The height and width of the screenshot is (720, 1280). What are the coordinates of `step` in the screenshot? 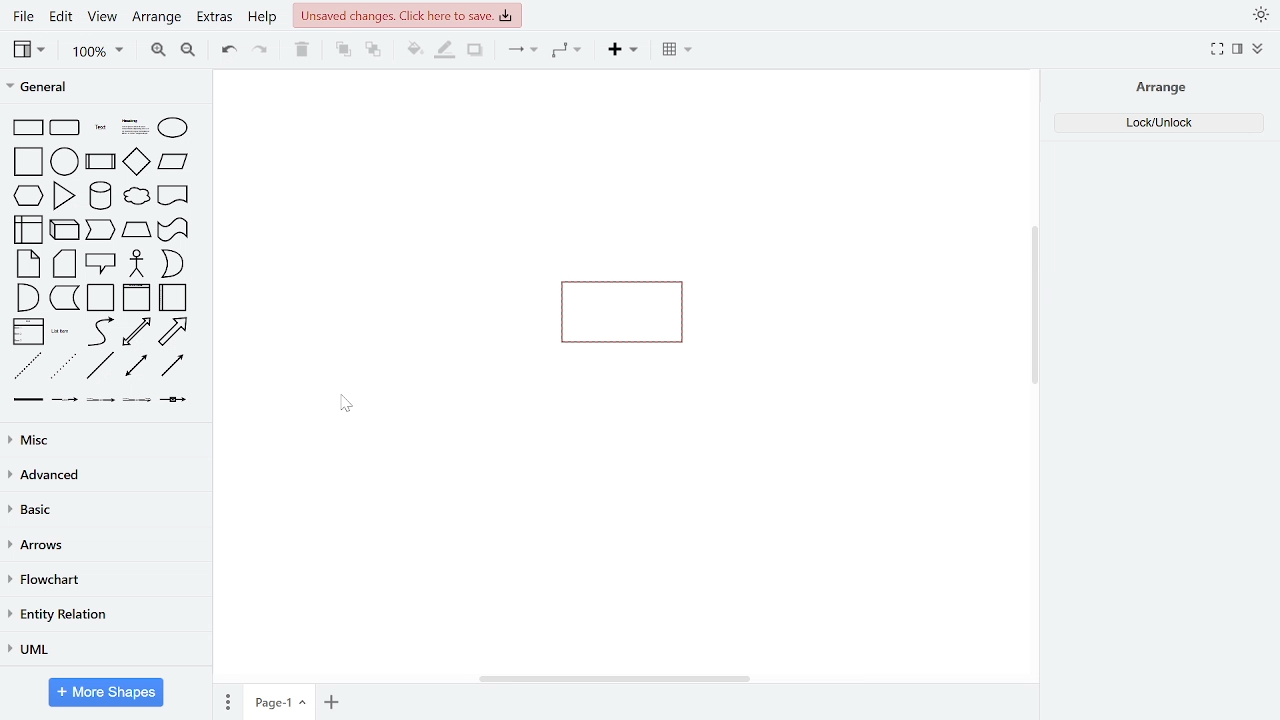 It's located at (137, 230).